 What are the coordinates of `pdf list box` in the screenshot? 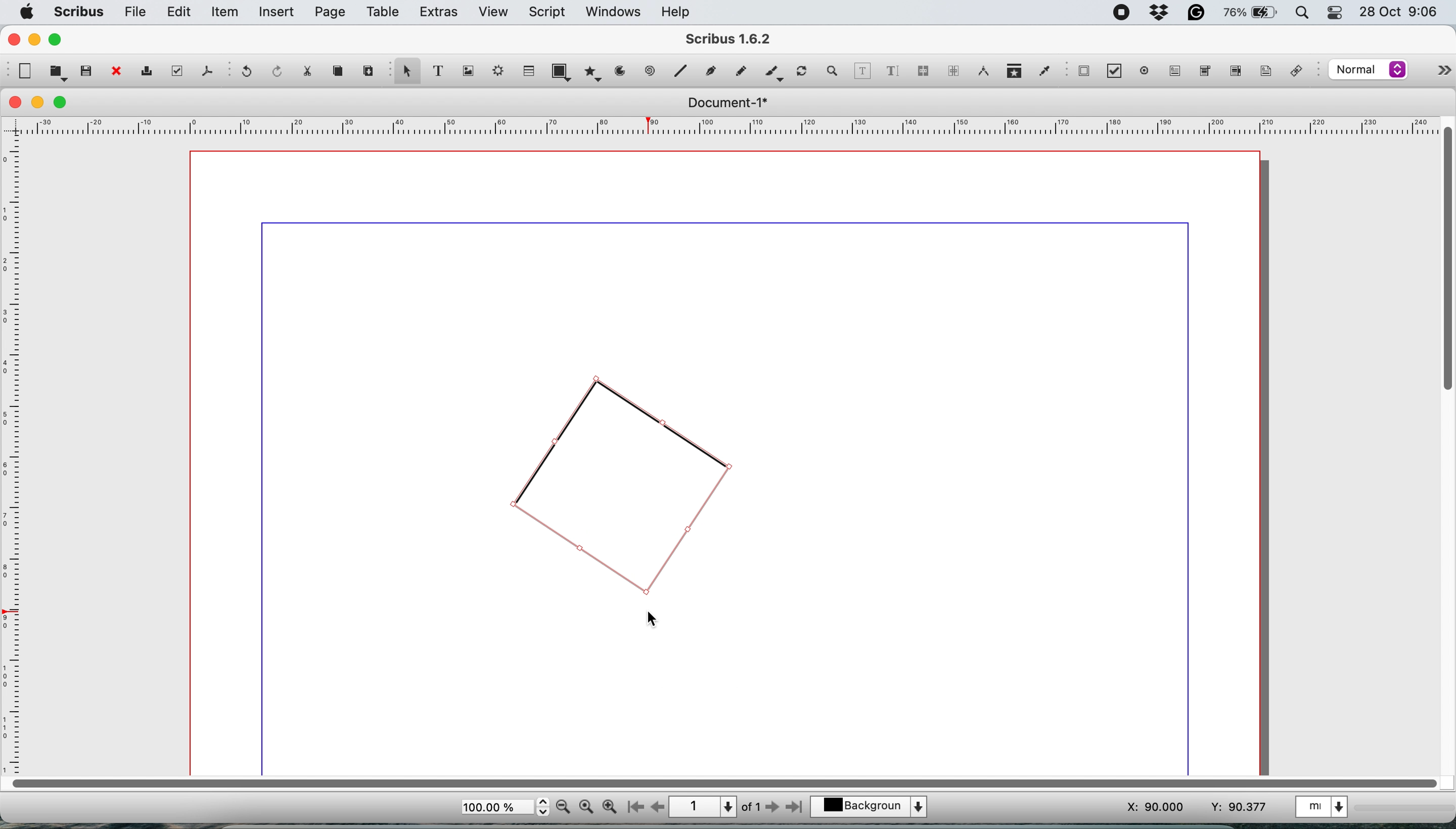 It's located at (1234, 72).